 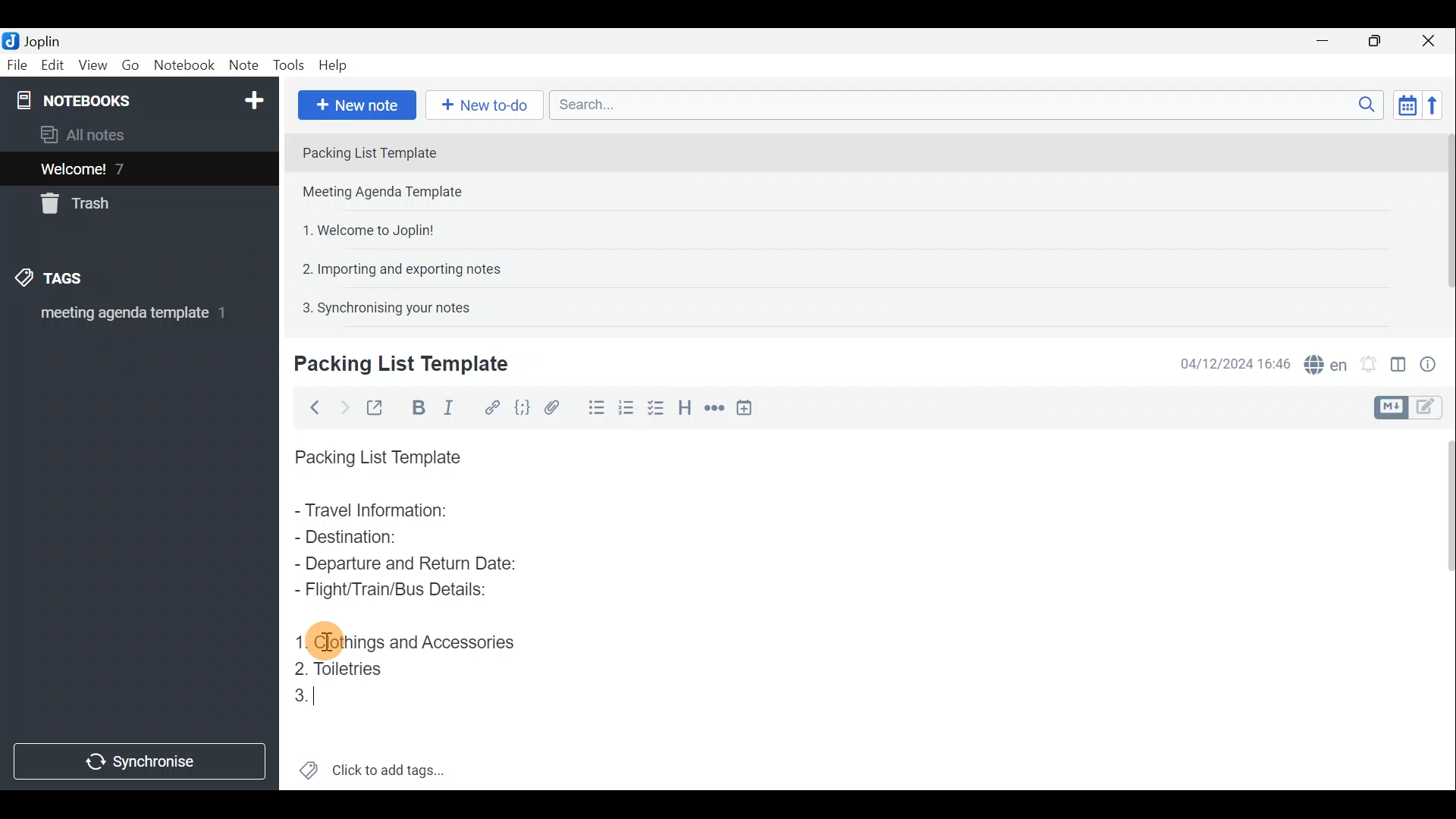 What do you see at coordinates (385, 538) in the screenshot?
I see `Destination:` at bounding box center [385, 538].